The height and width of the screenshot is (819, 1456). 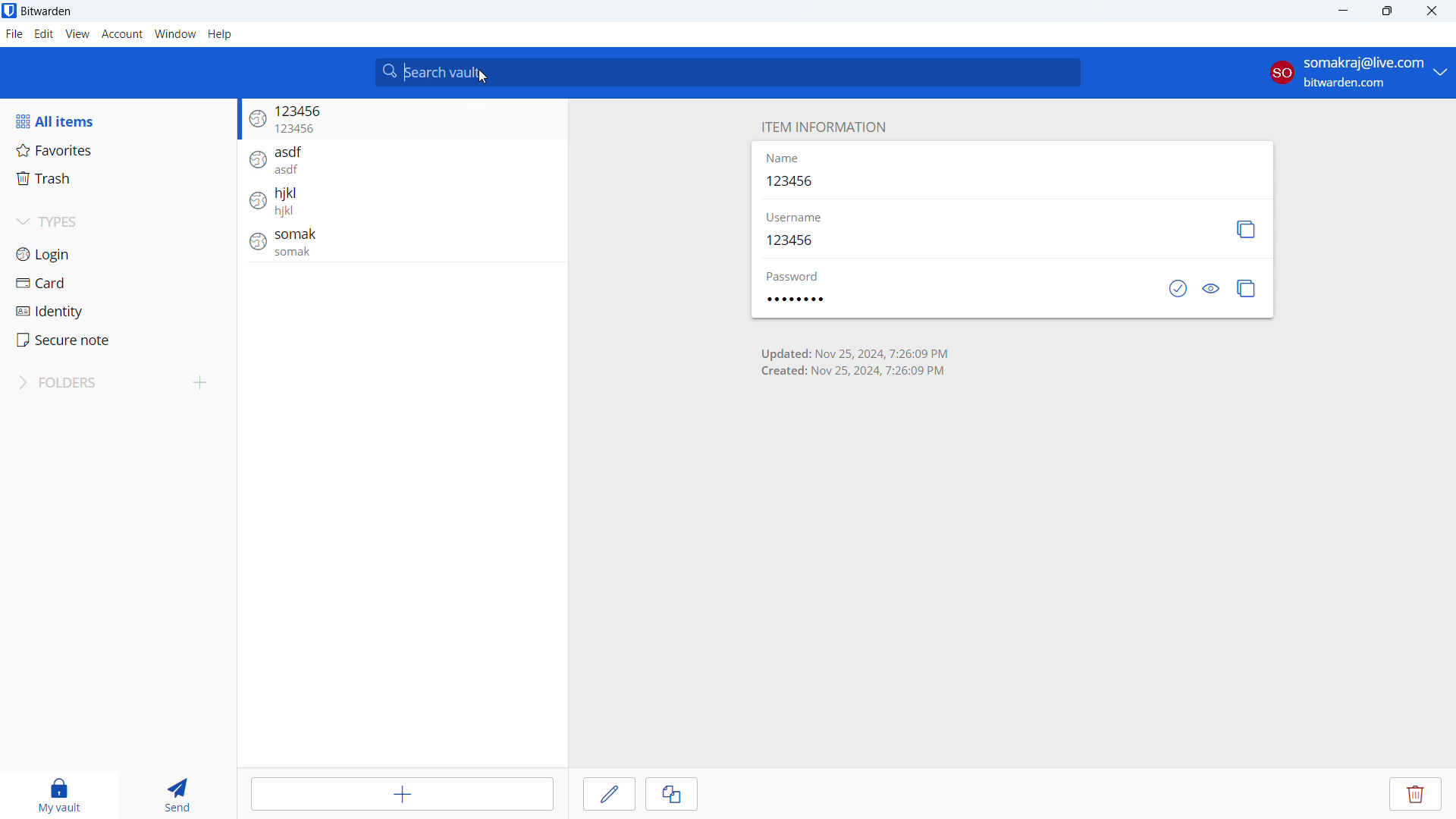 What do you see at coordinates (118, 121) in the screenshot?
I see `all items` at bounding box center [118, 121].